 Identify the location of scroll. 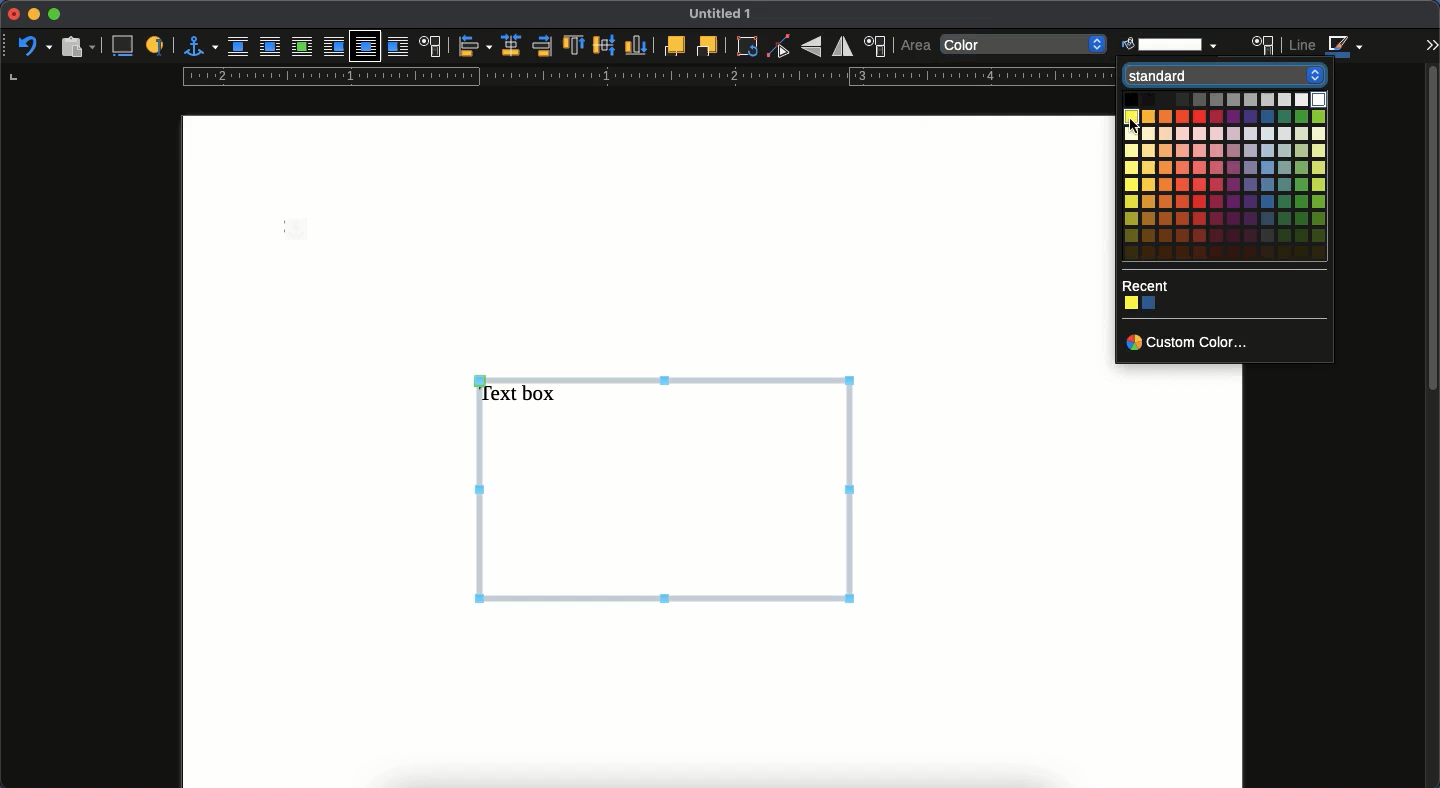
(1431, 424).